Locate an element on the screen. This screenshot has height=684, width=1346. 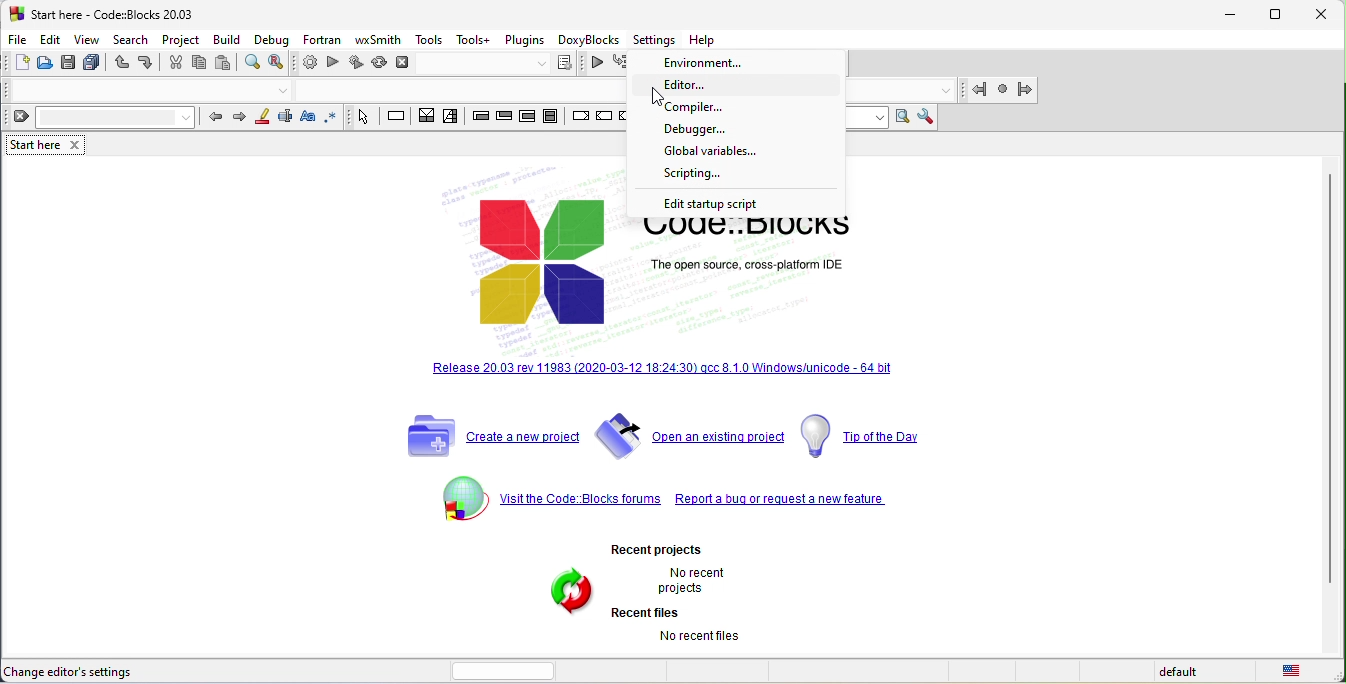
project is located at coordinates (182, 39).